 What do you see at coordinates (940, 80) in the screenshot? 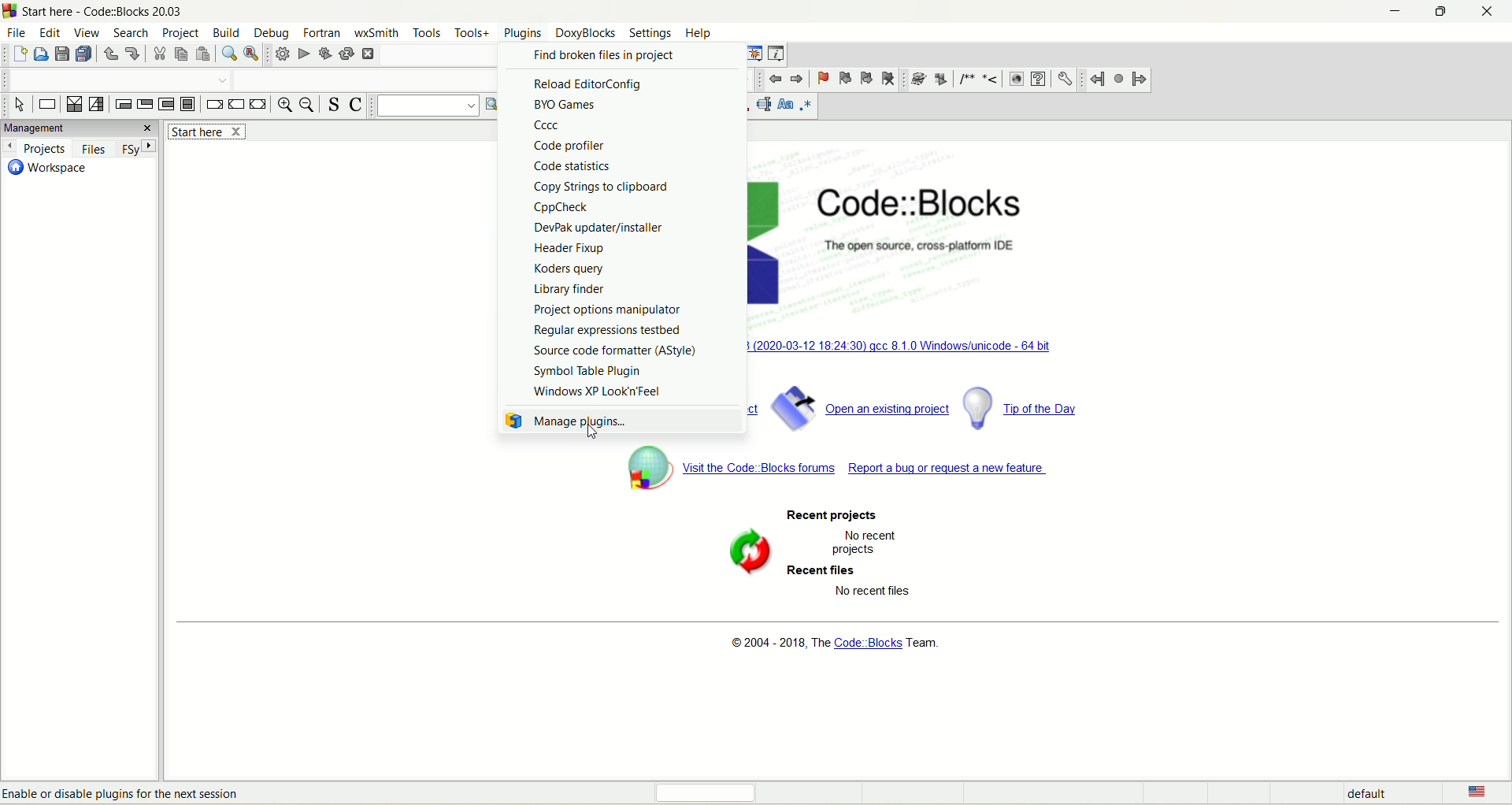
I see `Extract` at bounding box center [940, 80].